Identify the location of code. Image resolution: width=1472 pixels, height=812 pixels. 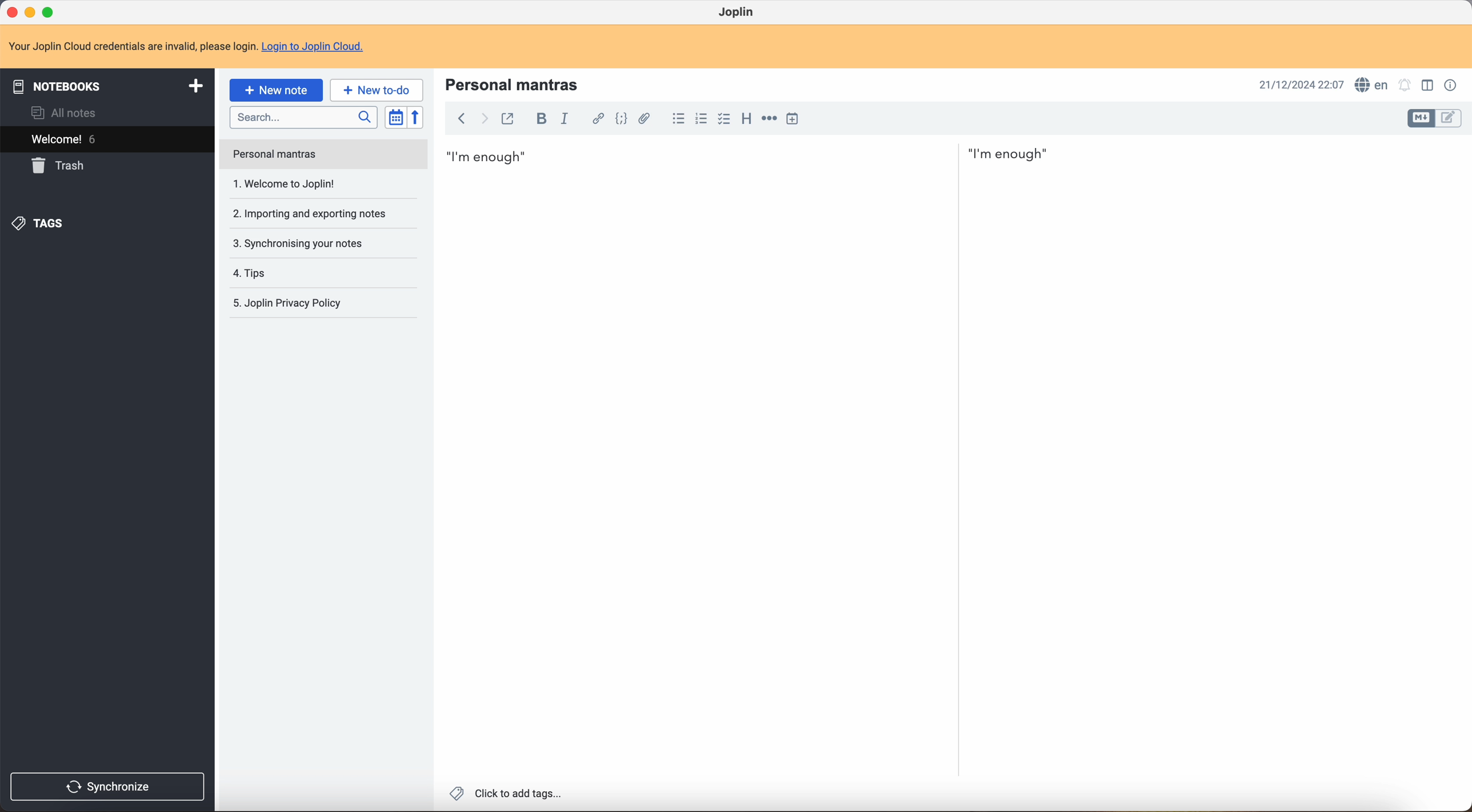
(622, 121).